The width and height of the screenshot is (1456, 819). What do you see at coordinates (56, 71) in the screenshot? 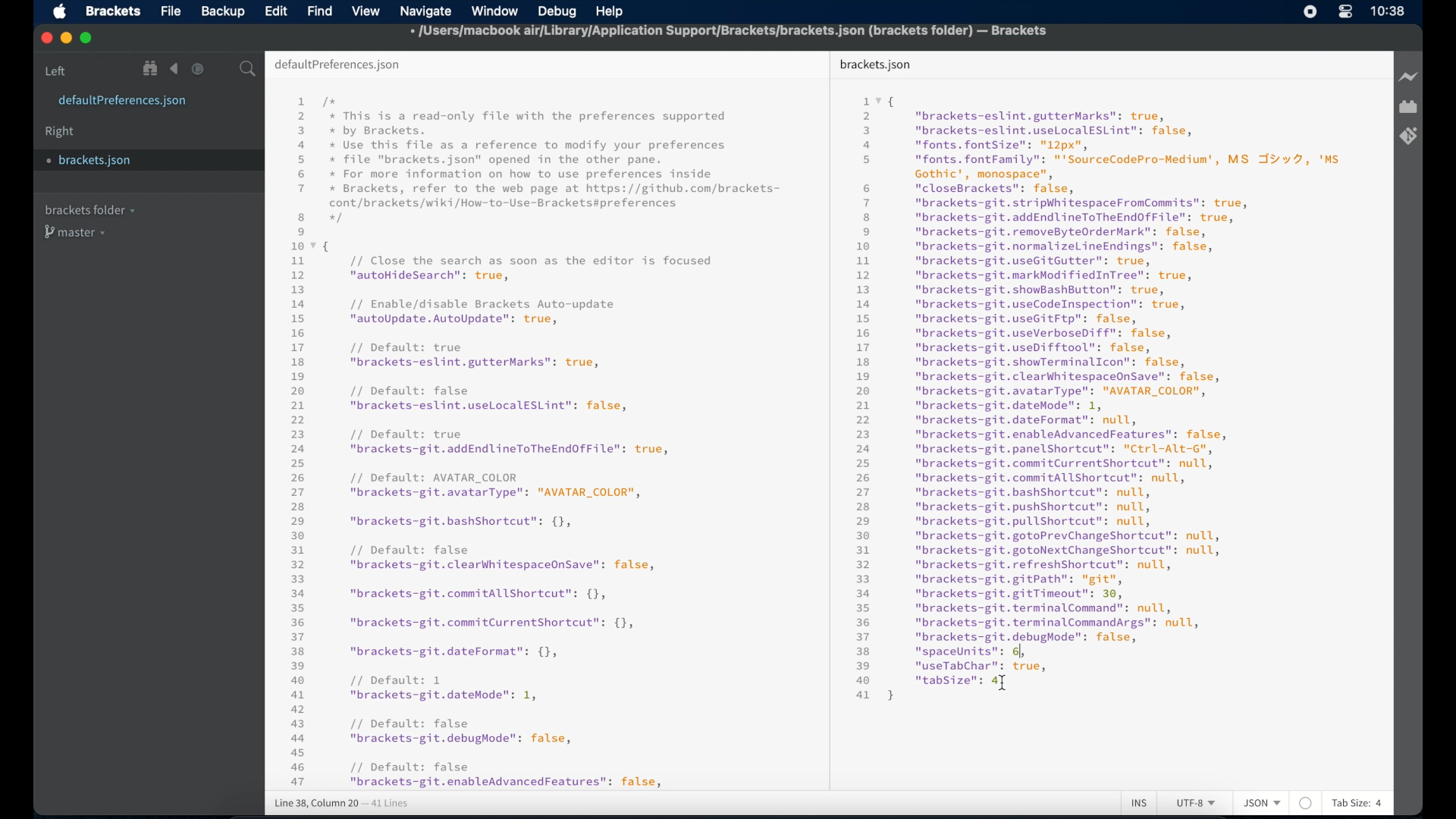
I see `left` at bounding box center [56, 71].